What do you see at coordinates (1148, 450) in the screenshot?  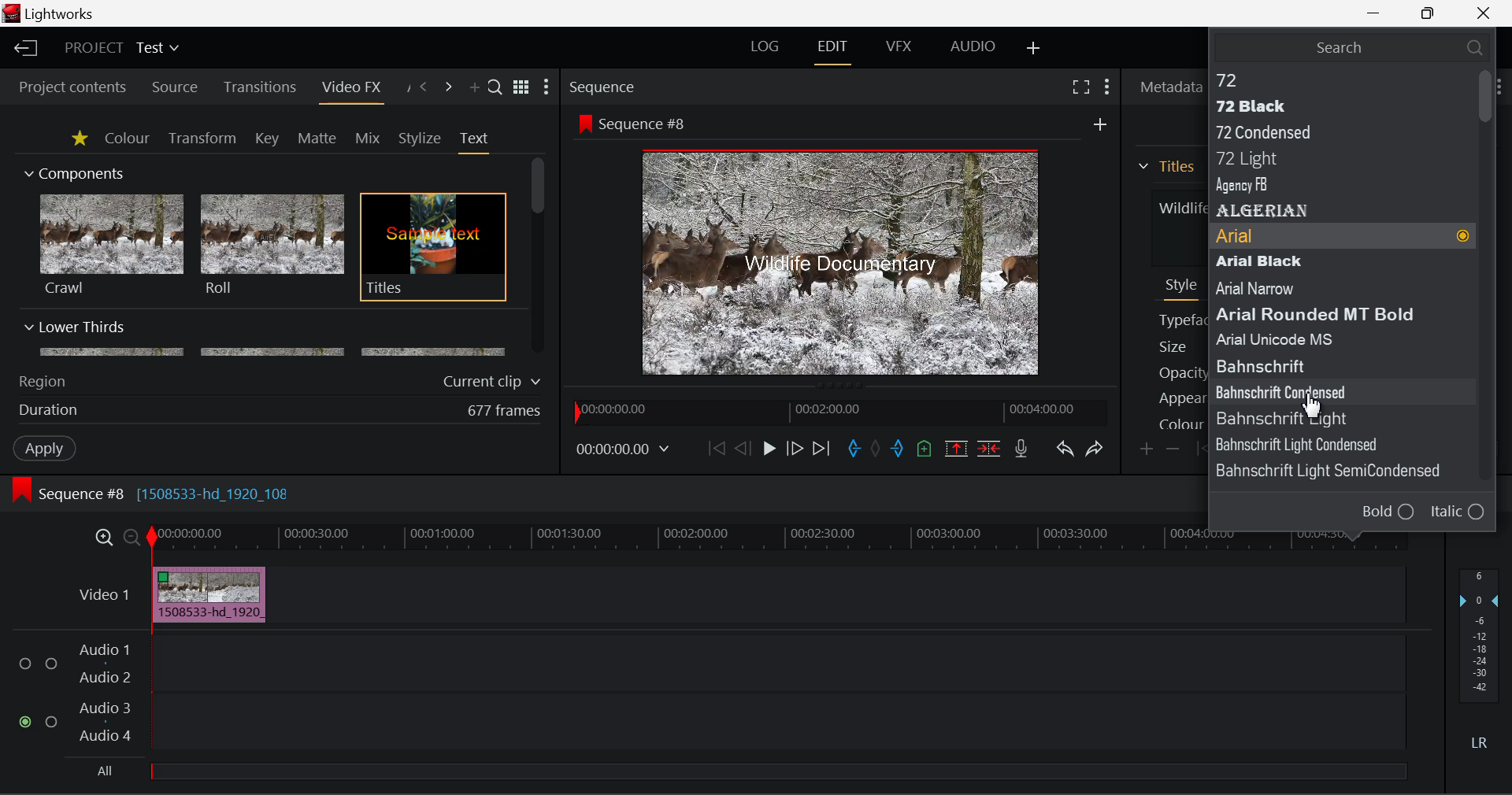 I see `Add keyframe` at bounding box center [1148, 450].